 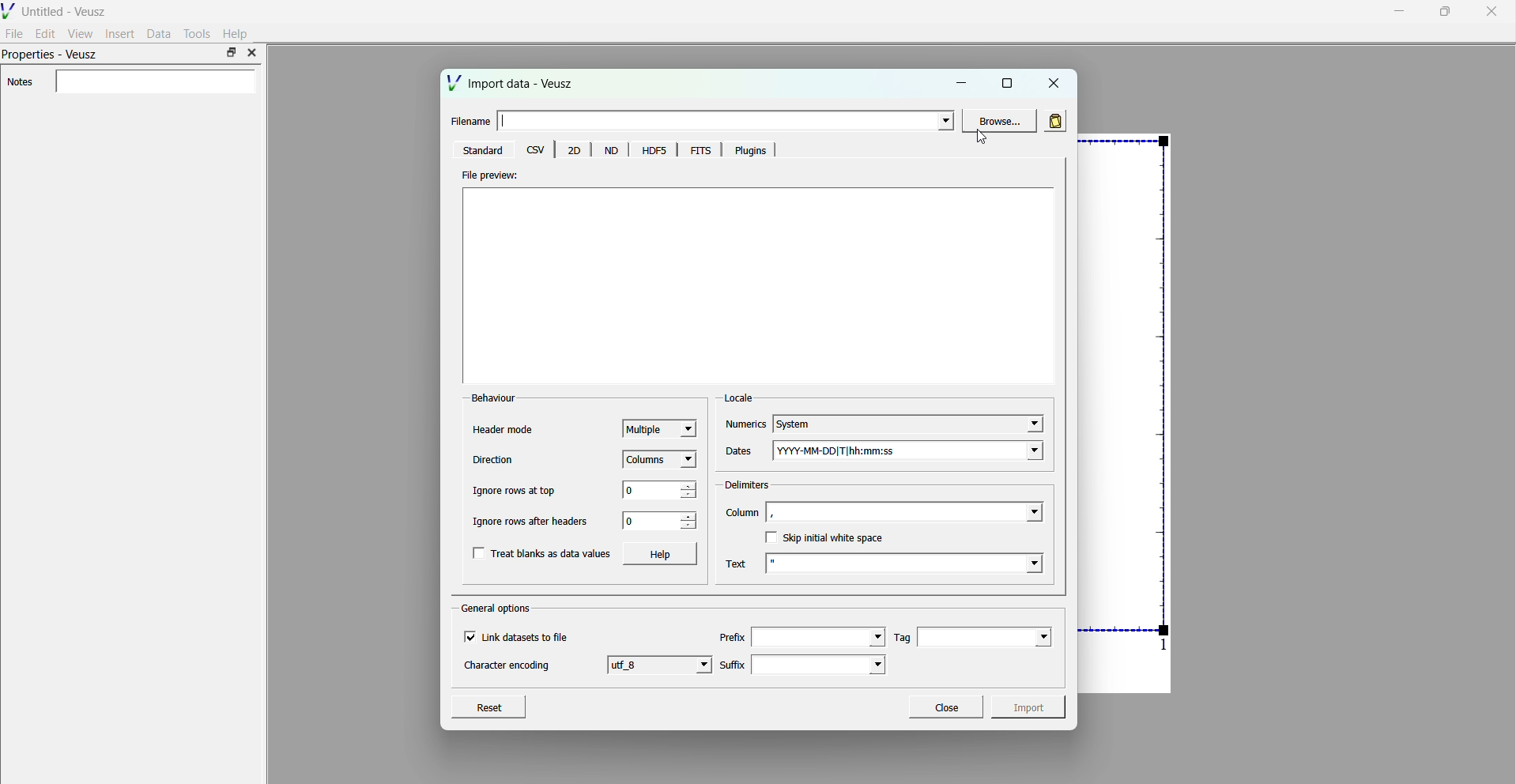 I want to click on Data, so click(x=159, y=33).